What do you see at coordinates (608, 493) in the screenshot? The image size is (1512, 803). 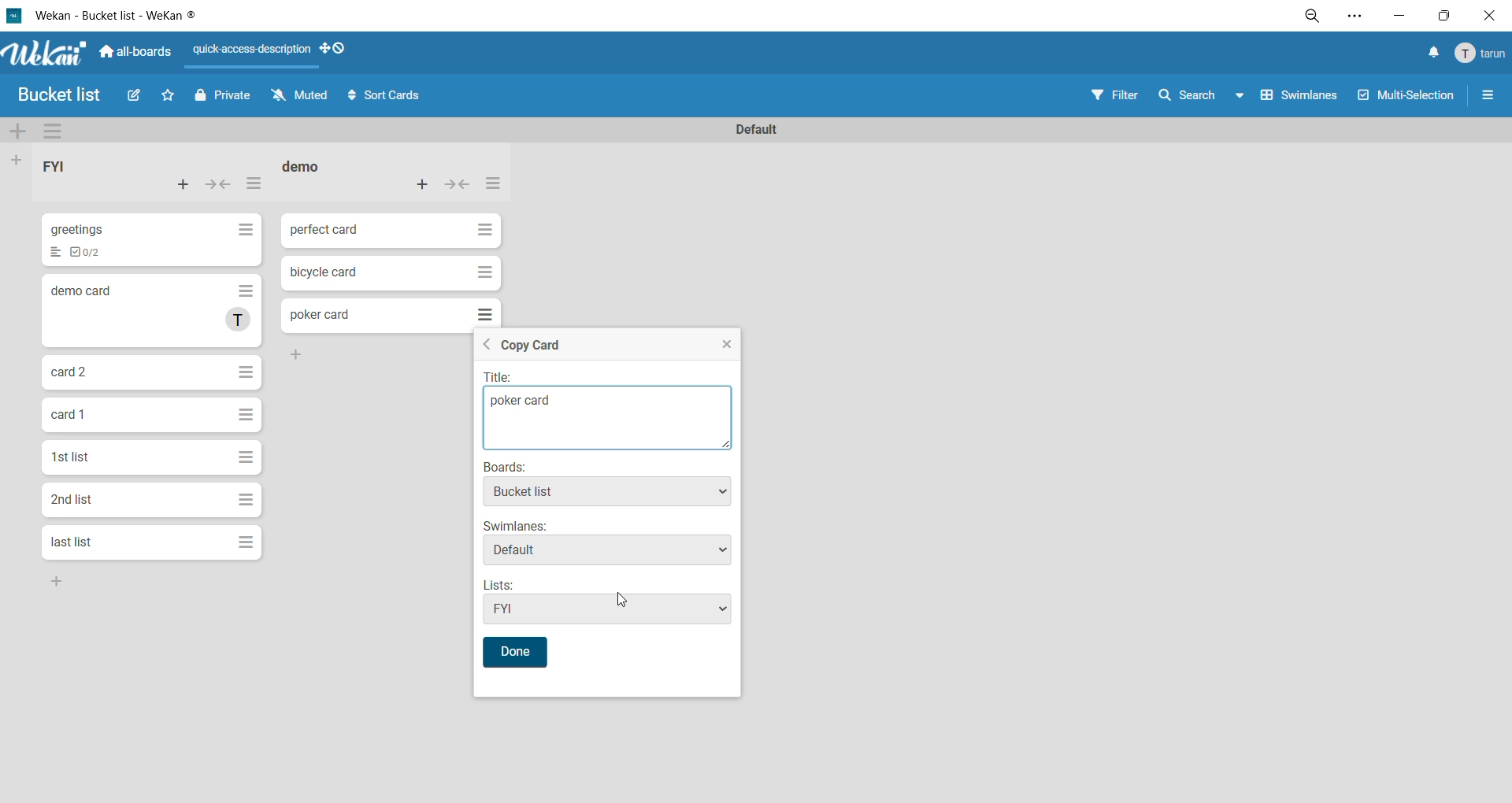 I see `Bucket list` at bounding box center [608, 493].